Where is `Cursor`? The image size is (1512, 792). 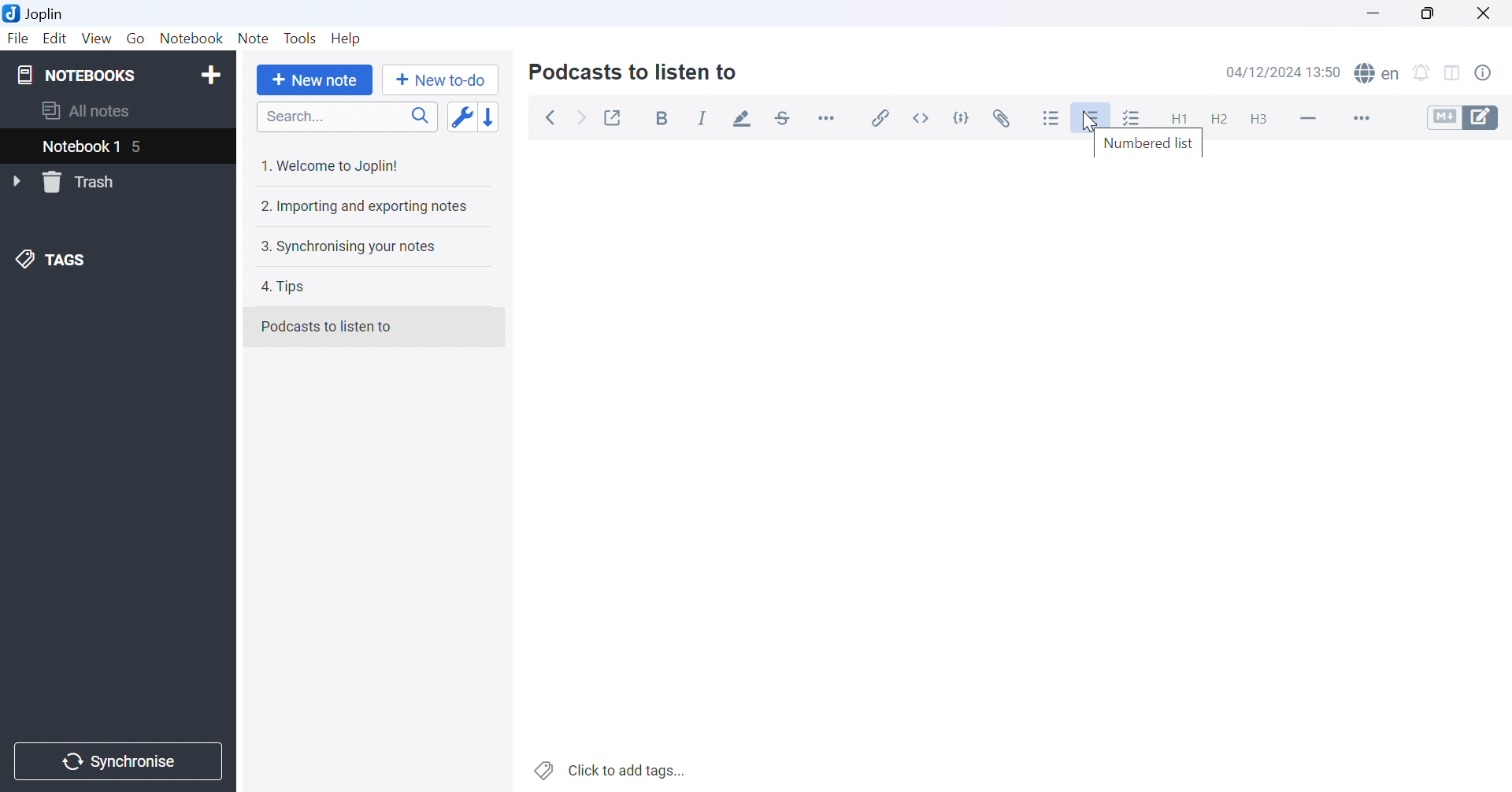 Cursor is located at coordinates (1091, 120).